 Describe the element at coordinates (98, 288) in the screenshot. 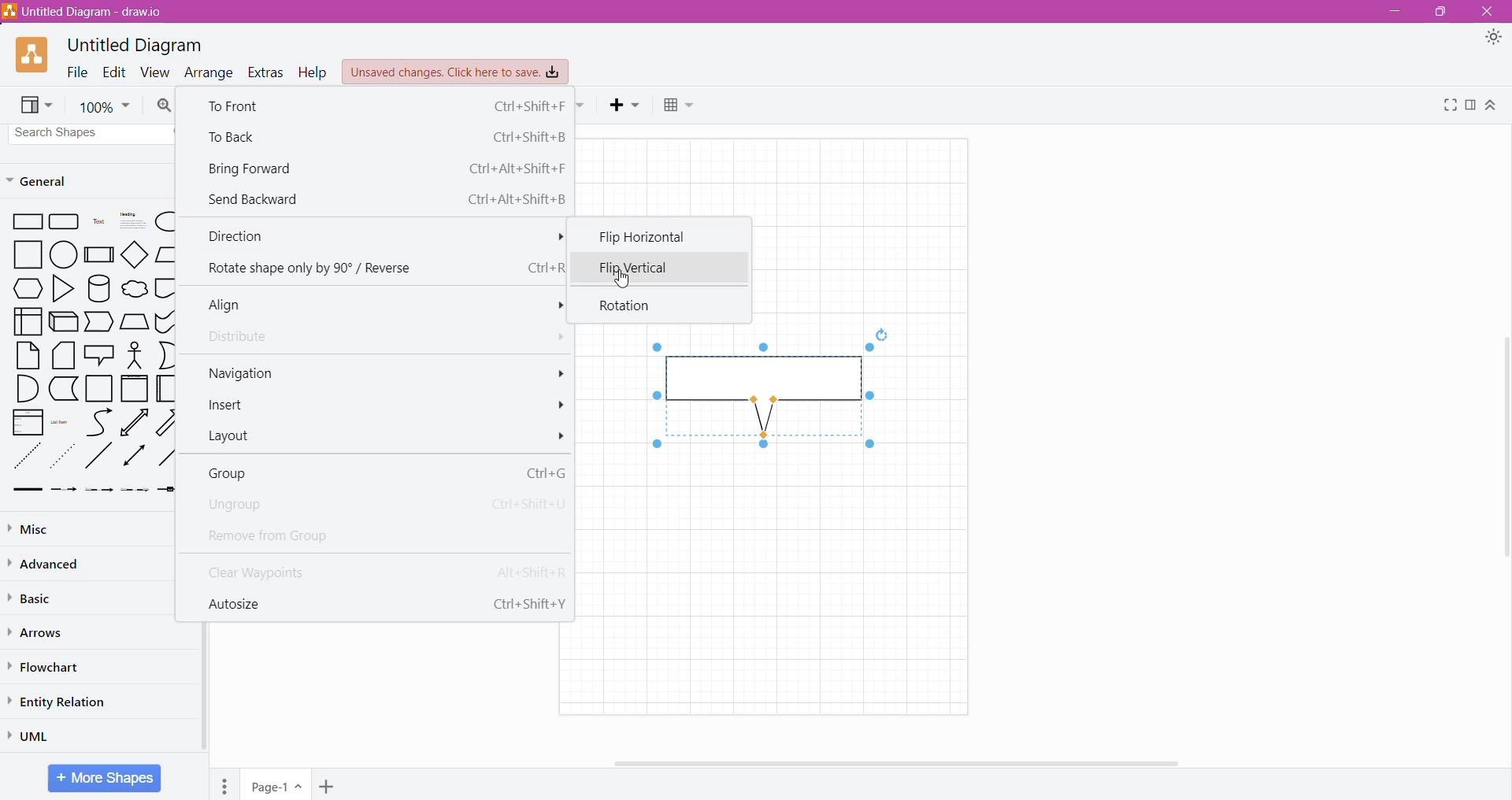

I see `Cylinder ` at that location.